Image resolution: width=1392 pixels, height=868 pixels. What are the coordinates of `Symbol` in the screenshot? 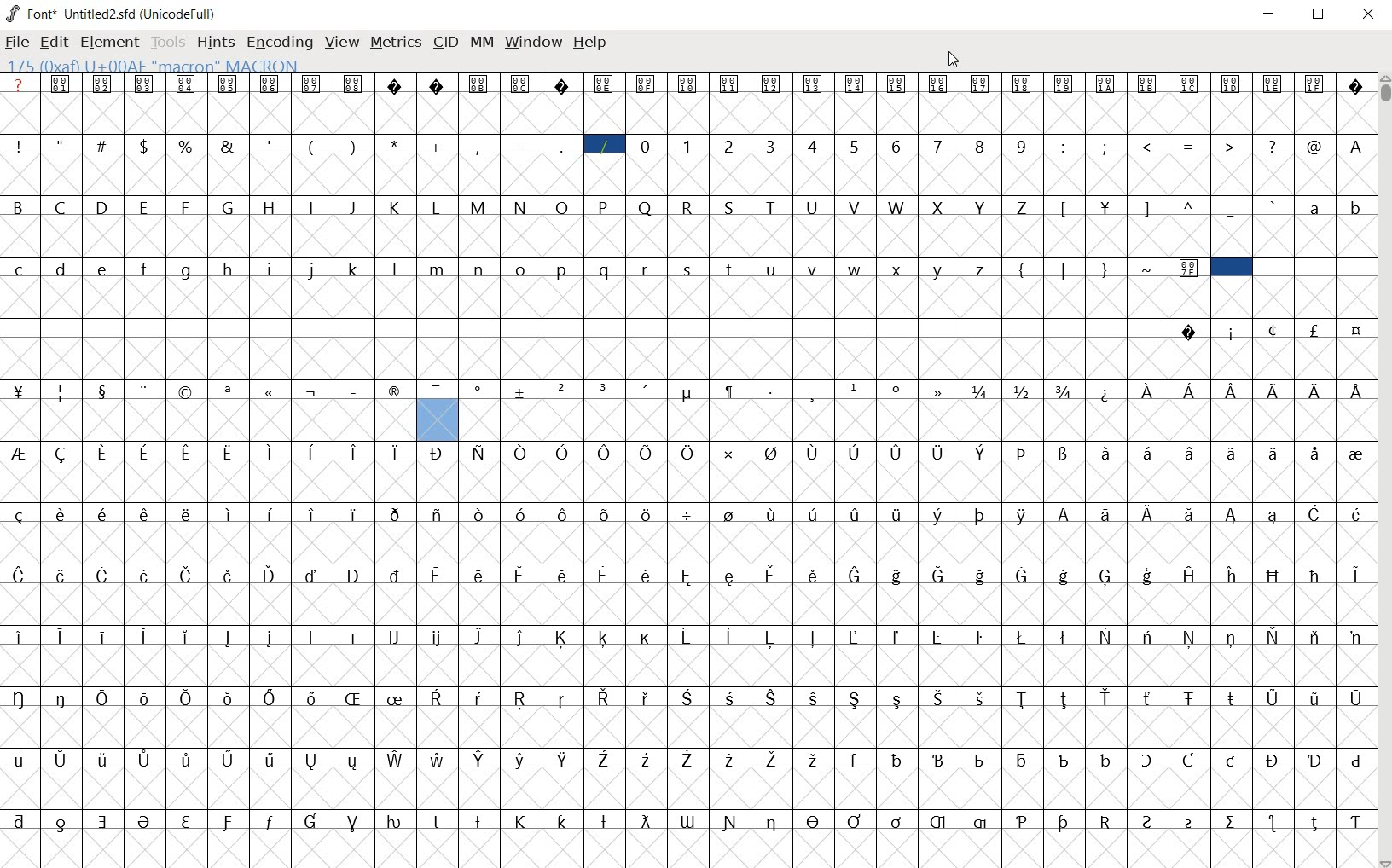 It's located at (563, 512).